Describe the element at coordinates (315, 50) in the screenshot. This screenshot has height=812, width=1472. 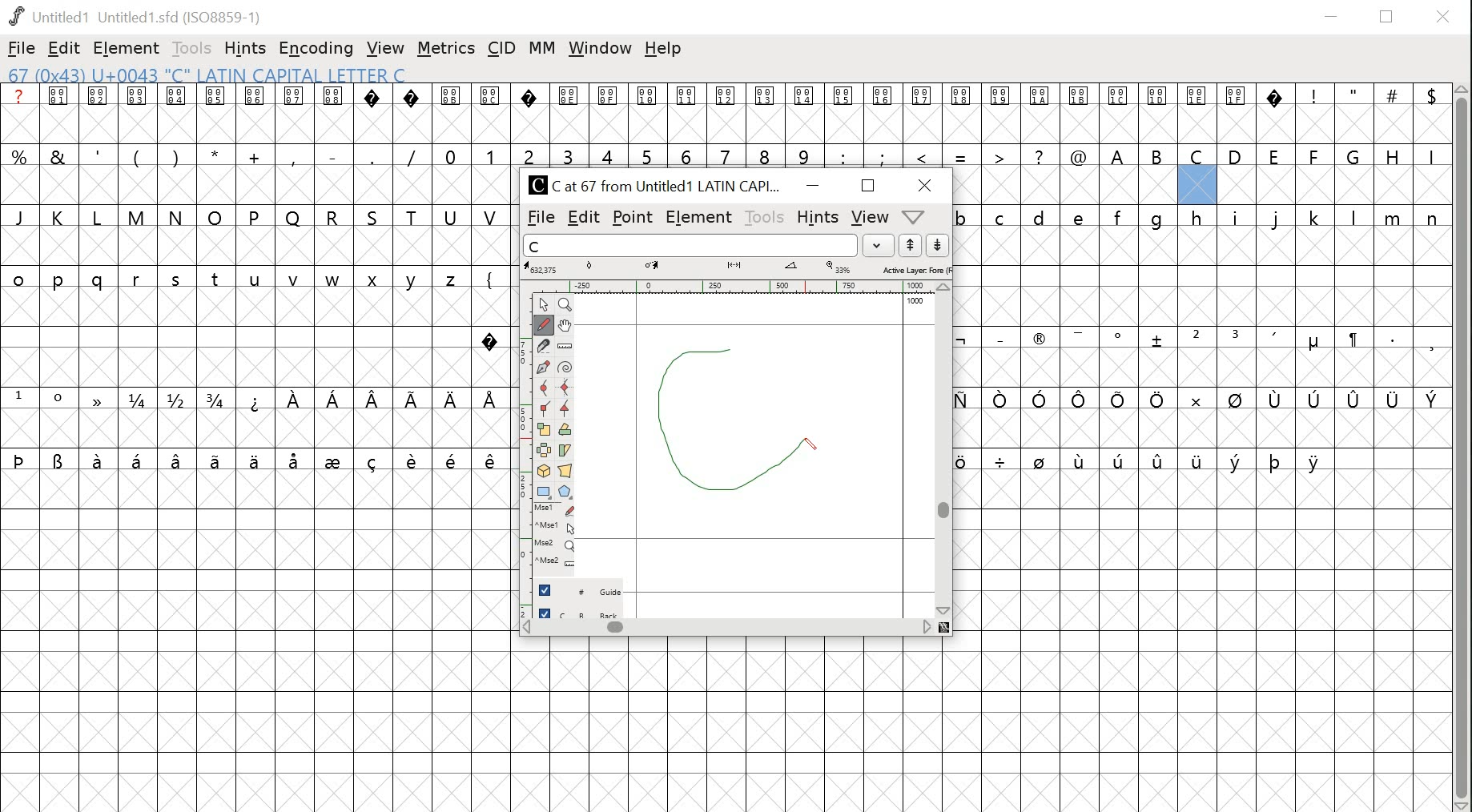
I see `encoding` at that location.